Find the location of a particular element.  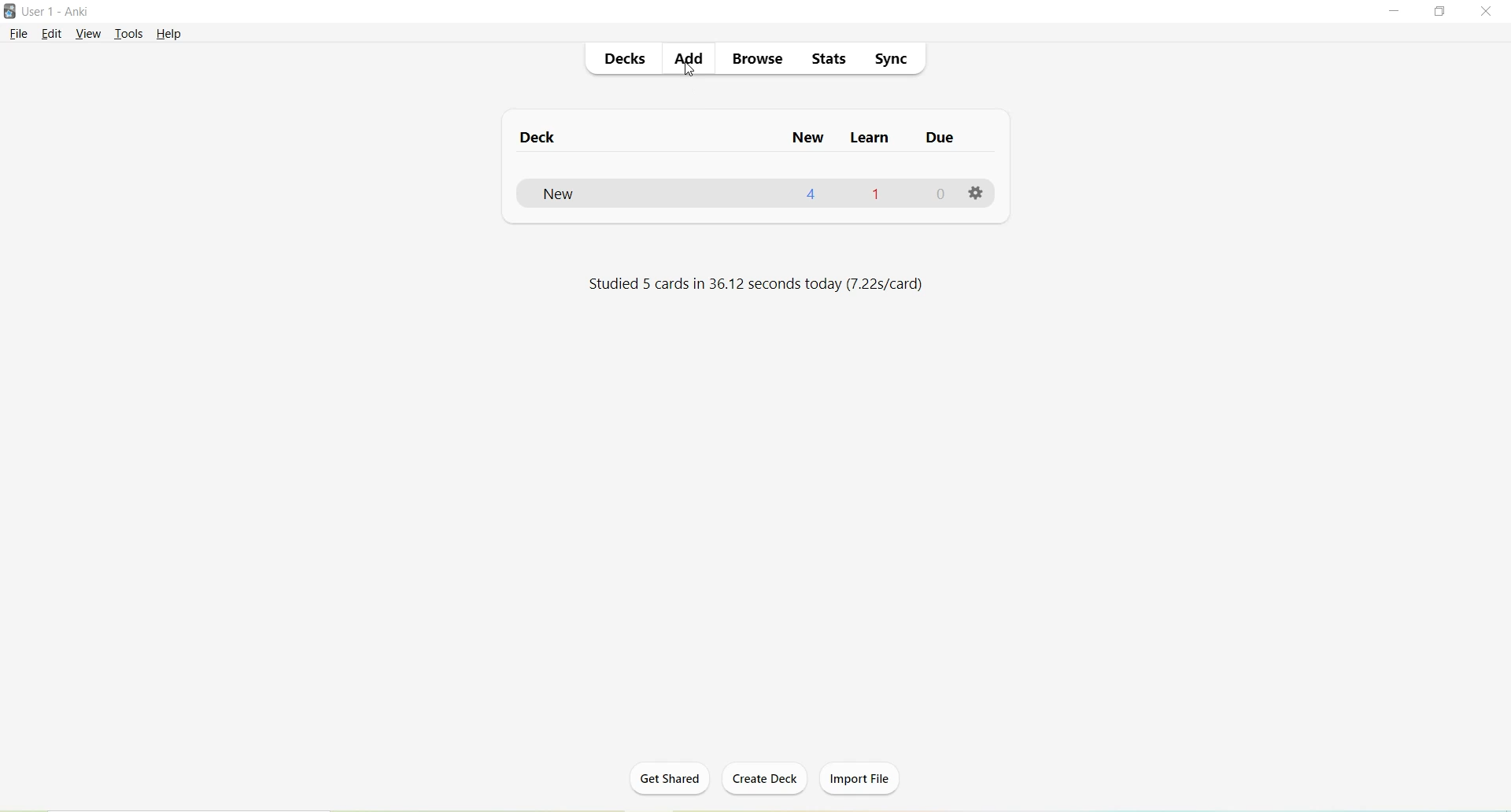

Edit is located at coordinates (56, 35).